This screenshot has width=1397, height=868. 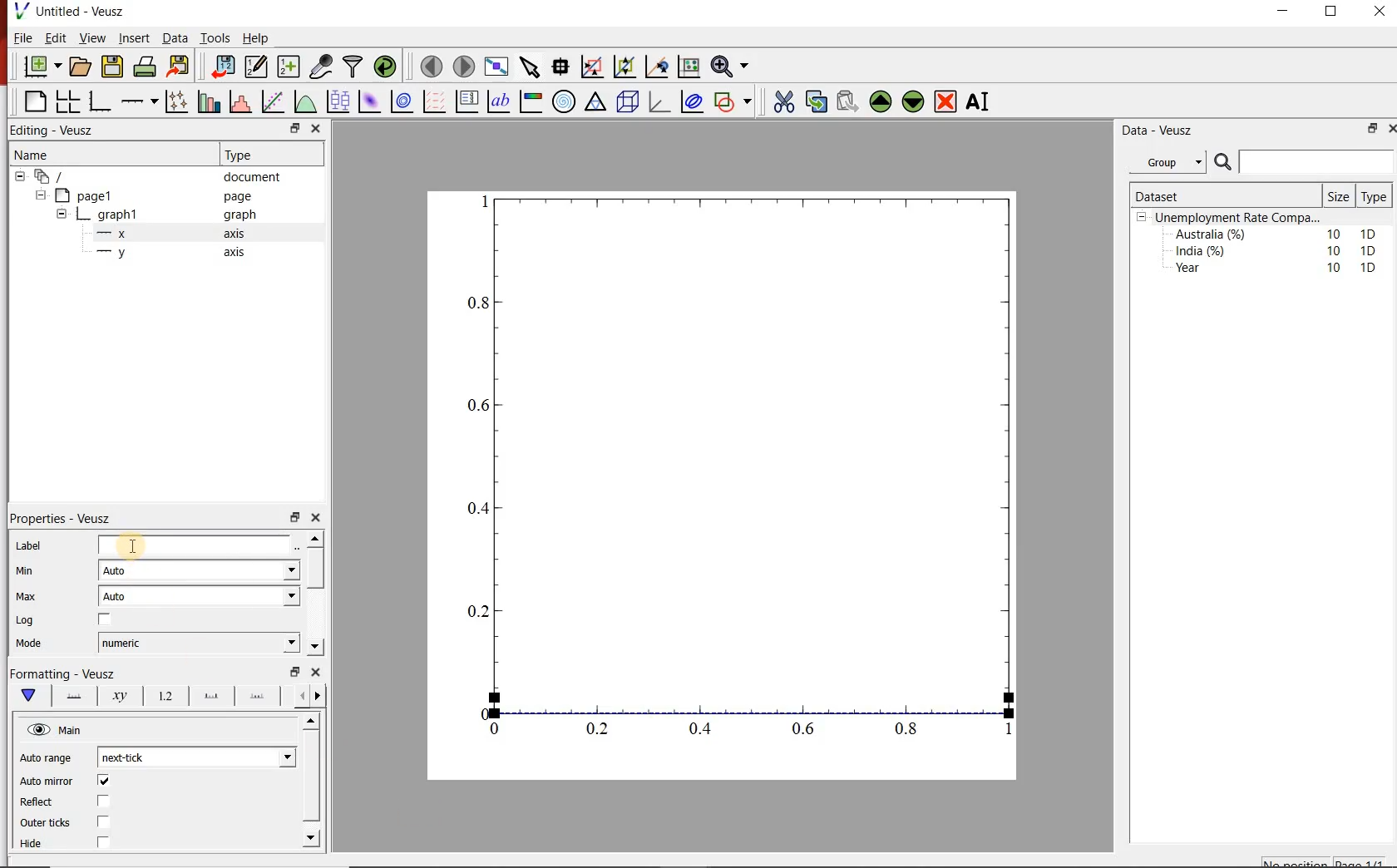 I want to click on 3d scenes, so click(x=625, y=101).